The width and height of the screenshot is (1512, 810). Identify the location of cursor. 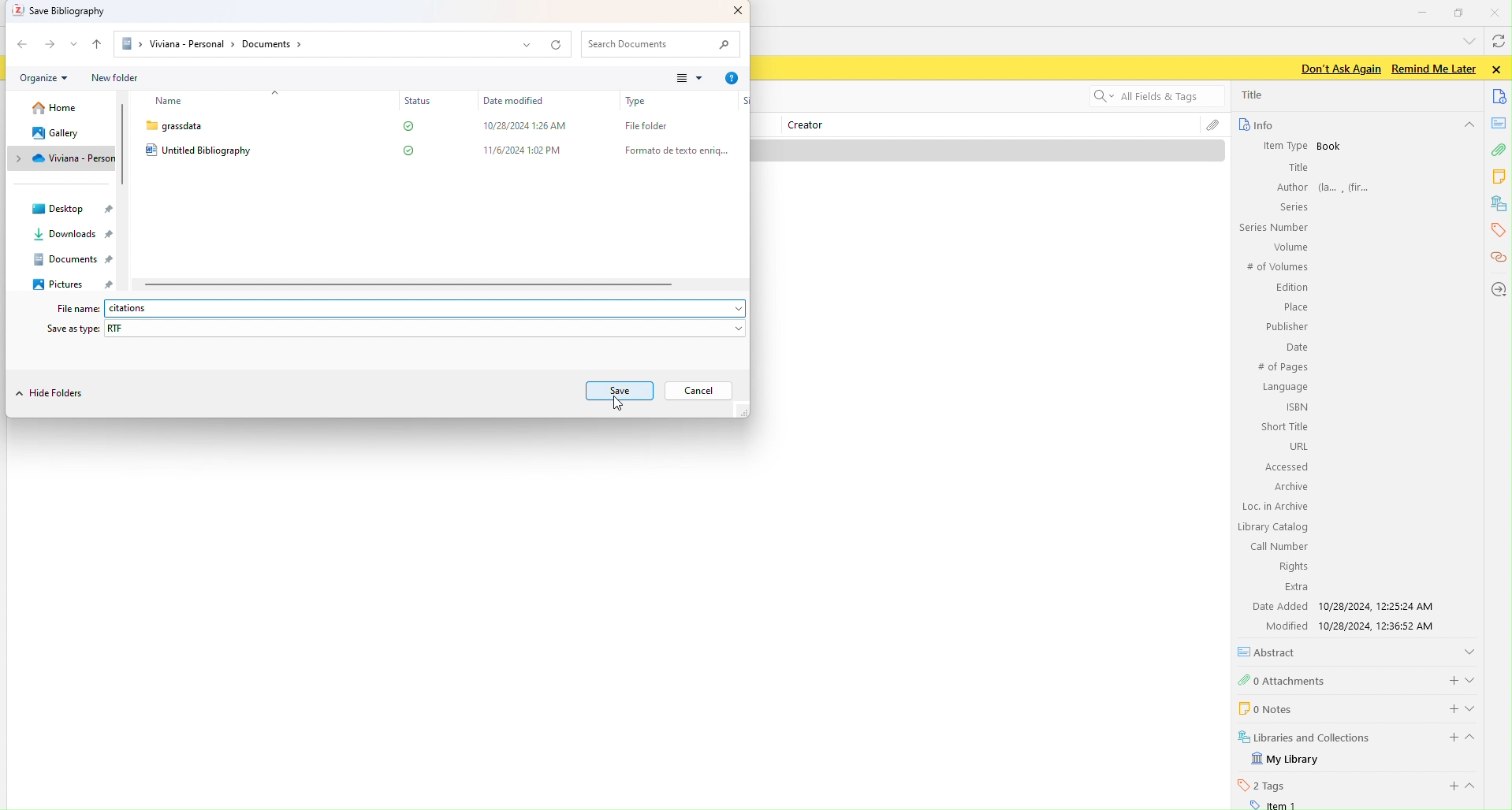
(614, 402).